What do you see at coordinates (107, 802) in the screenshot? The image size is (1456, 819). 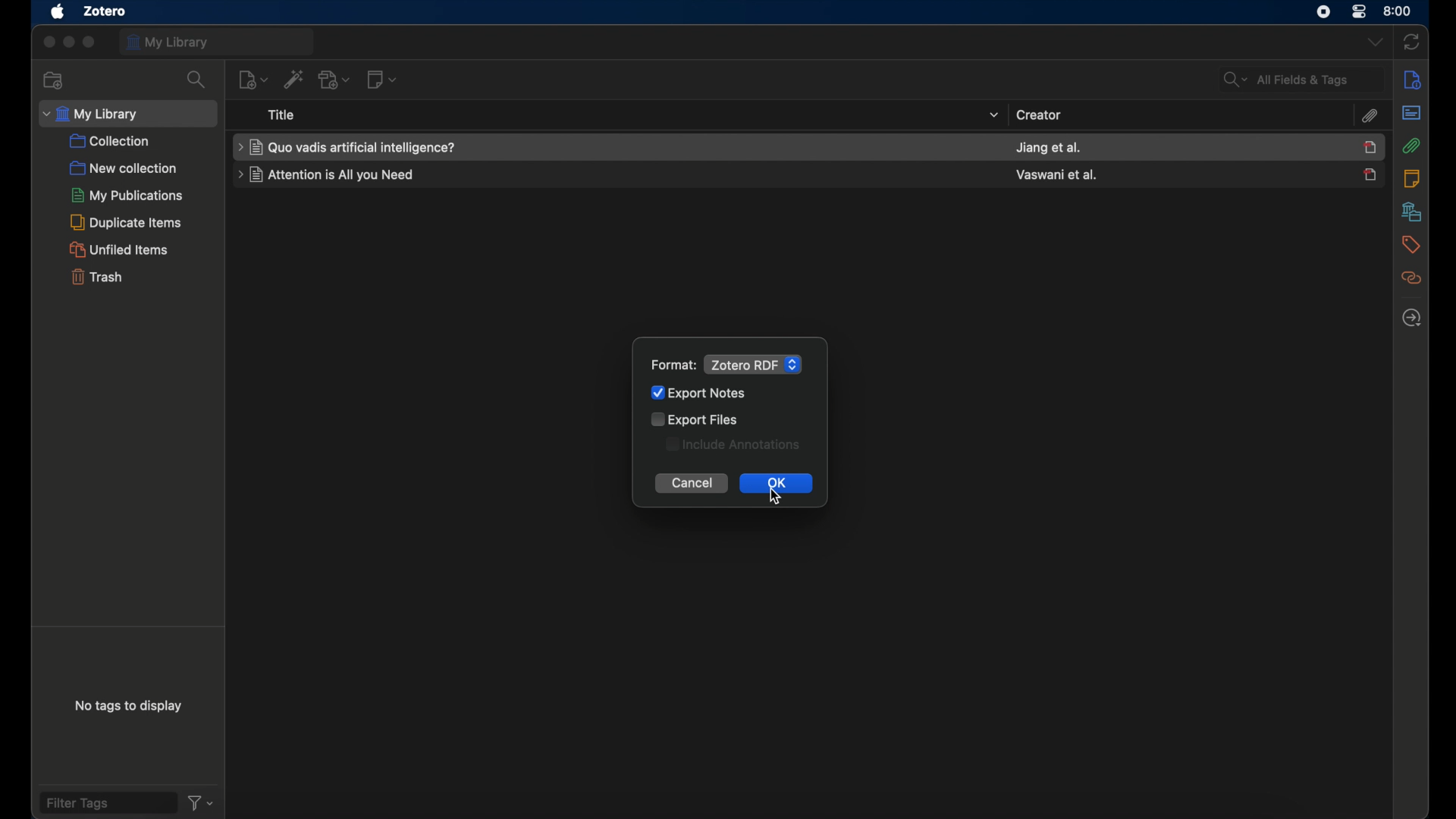 I see `filter tags fields` at bounding box center [107, 802].